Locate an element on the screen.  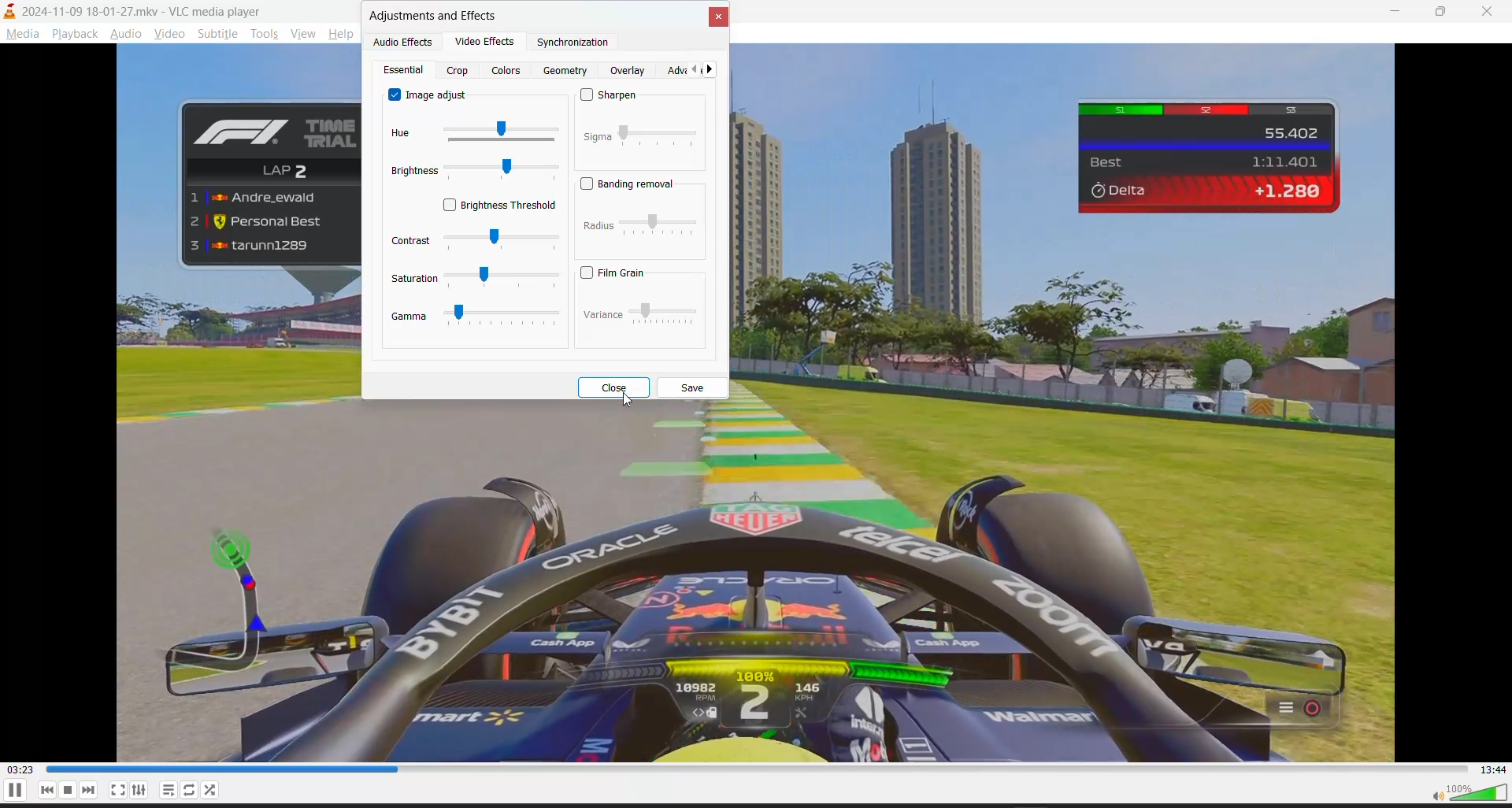
banding removal is located at coordinates (632, 185).